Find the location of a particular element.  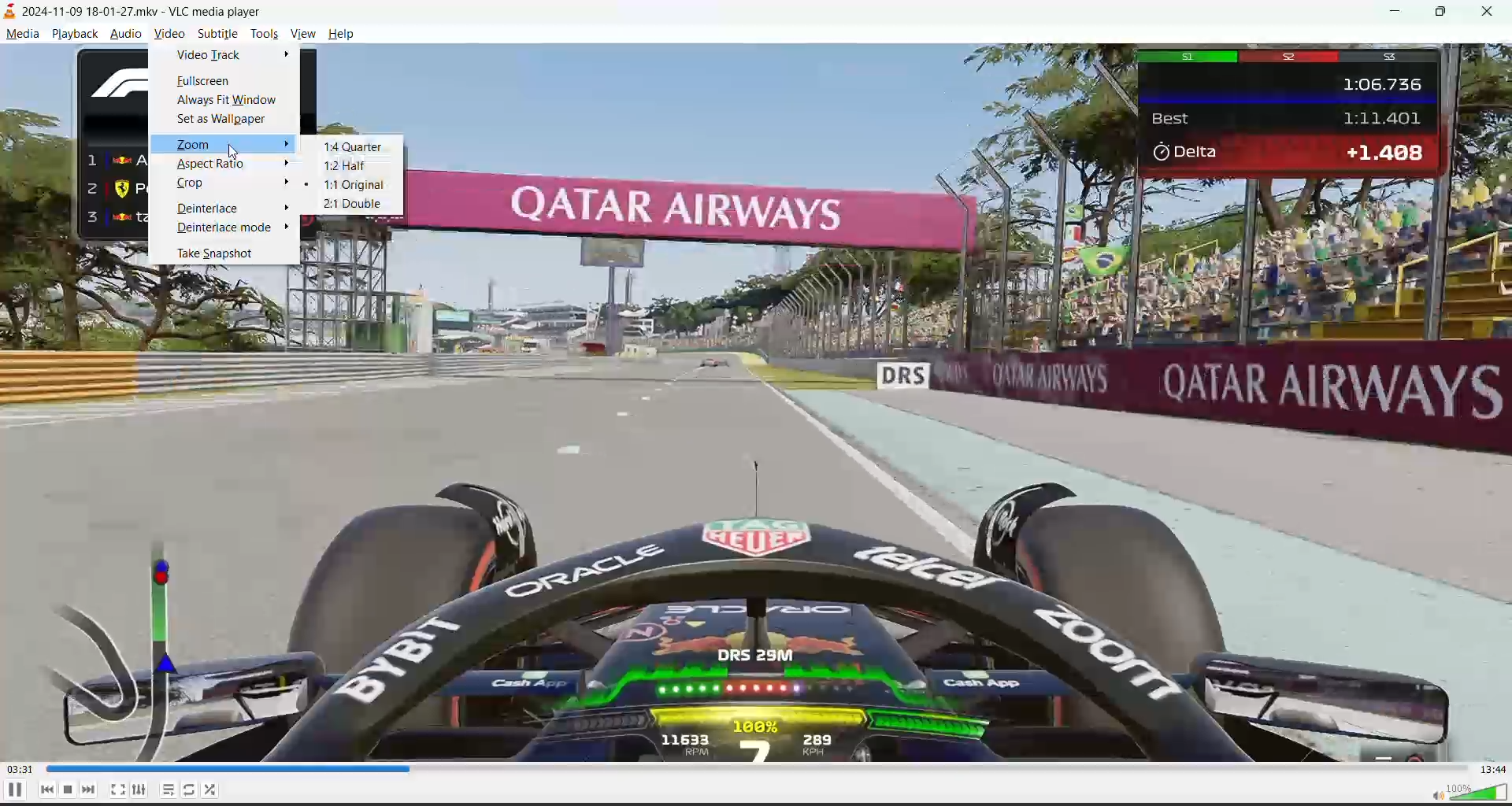

media is located at coordinates (28, 35).